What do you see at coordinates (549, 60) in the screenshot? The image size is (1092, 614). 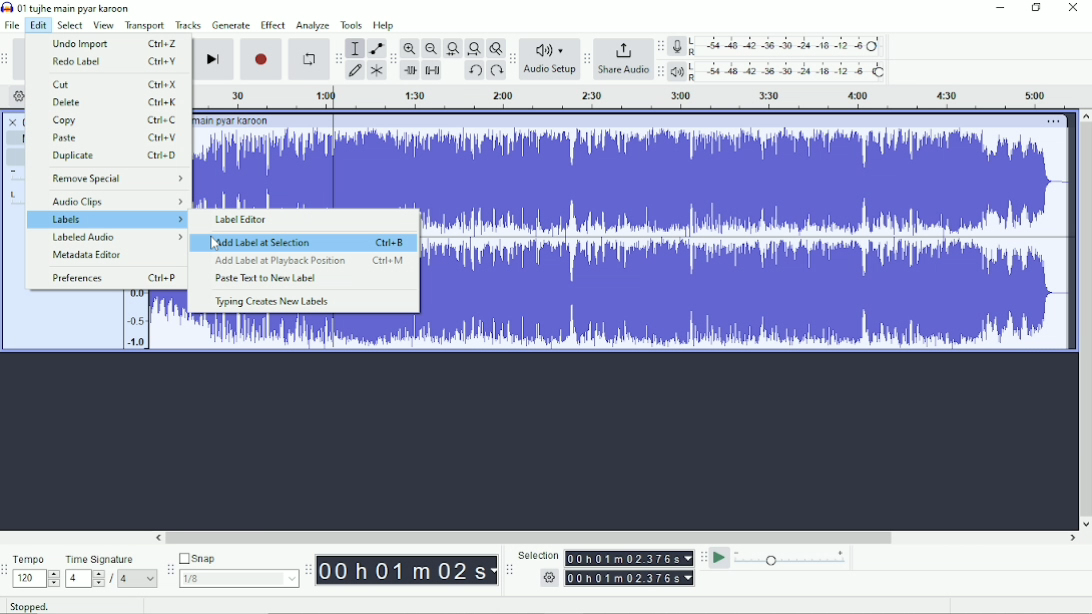 I see `Audio Setup` at bounding box center [549, 60].